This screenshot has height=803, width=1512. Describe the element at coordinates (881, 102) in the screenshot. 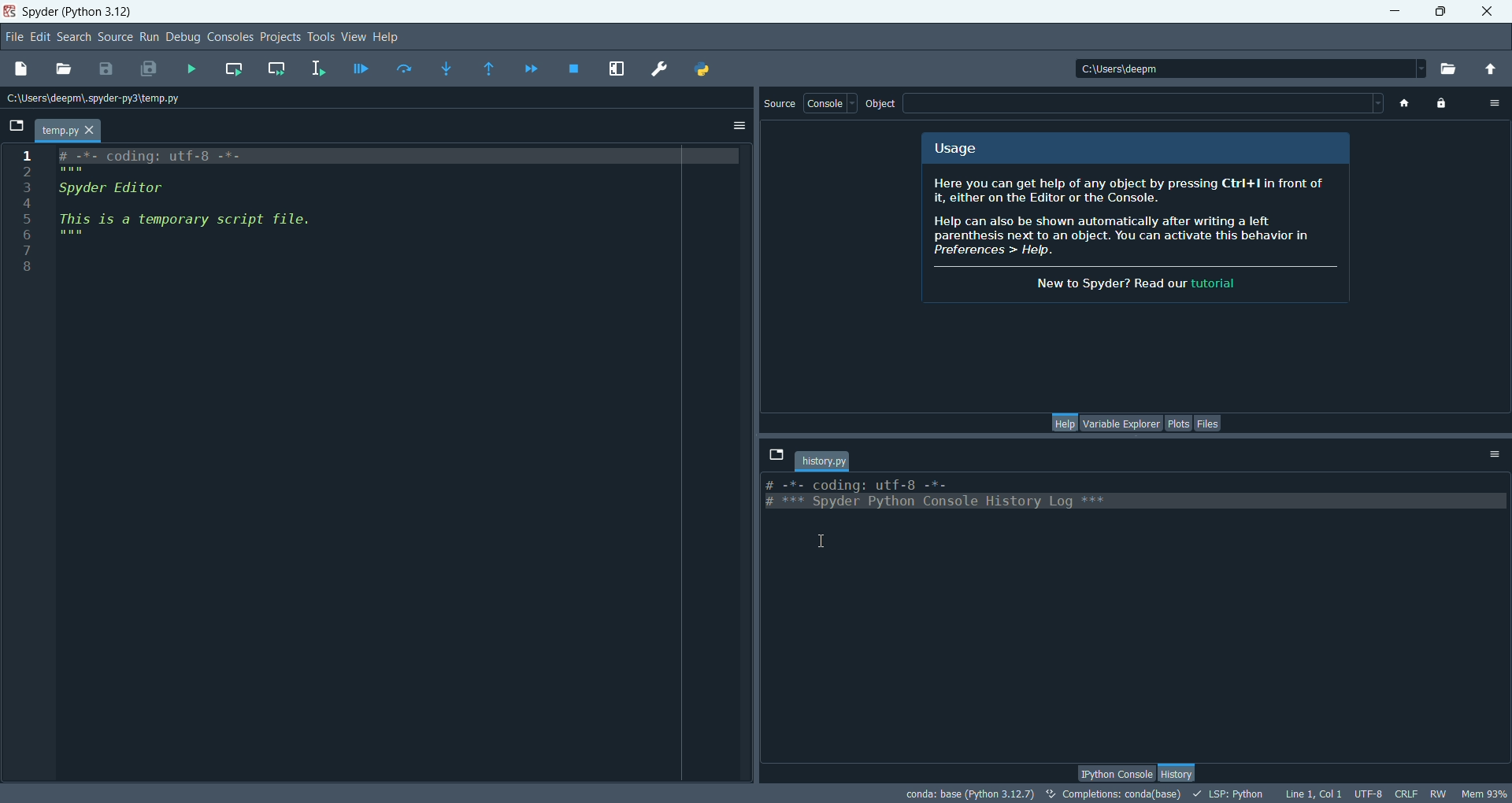

I see `object` at that location.